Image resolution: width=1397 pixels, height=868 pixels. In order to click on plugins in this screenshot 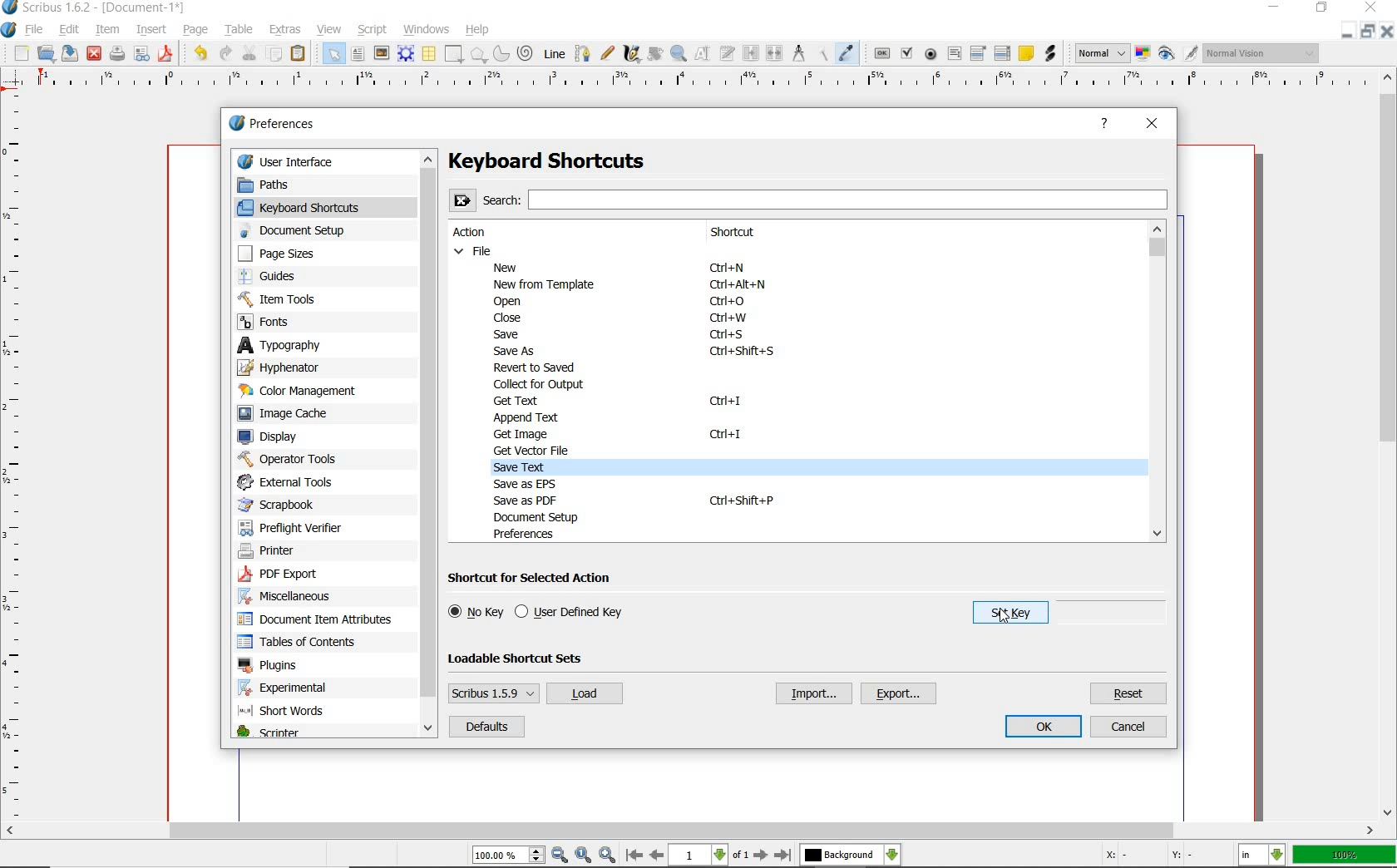, I will do `click(270, 666)`.